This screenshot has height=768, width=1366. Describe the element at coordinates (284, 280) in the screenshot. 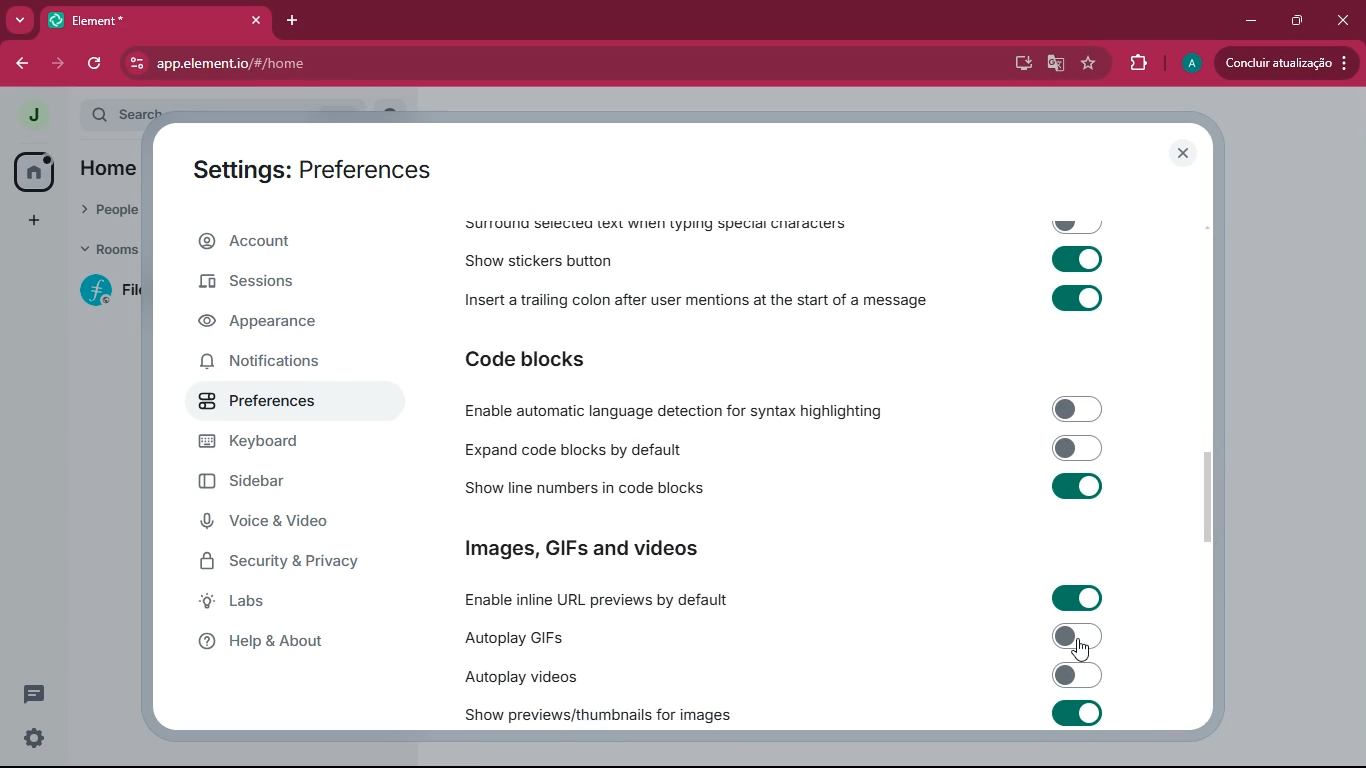

I see `sessions` at that location.